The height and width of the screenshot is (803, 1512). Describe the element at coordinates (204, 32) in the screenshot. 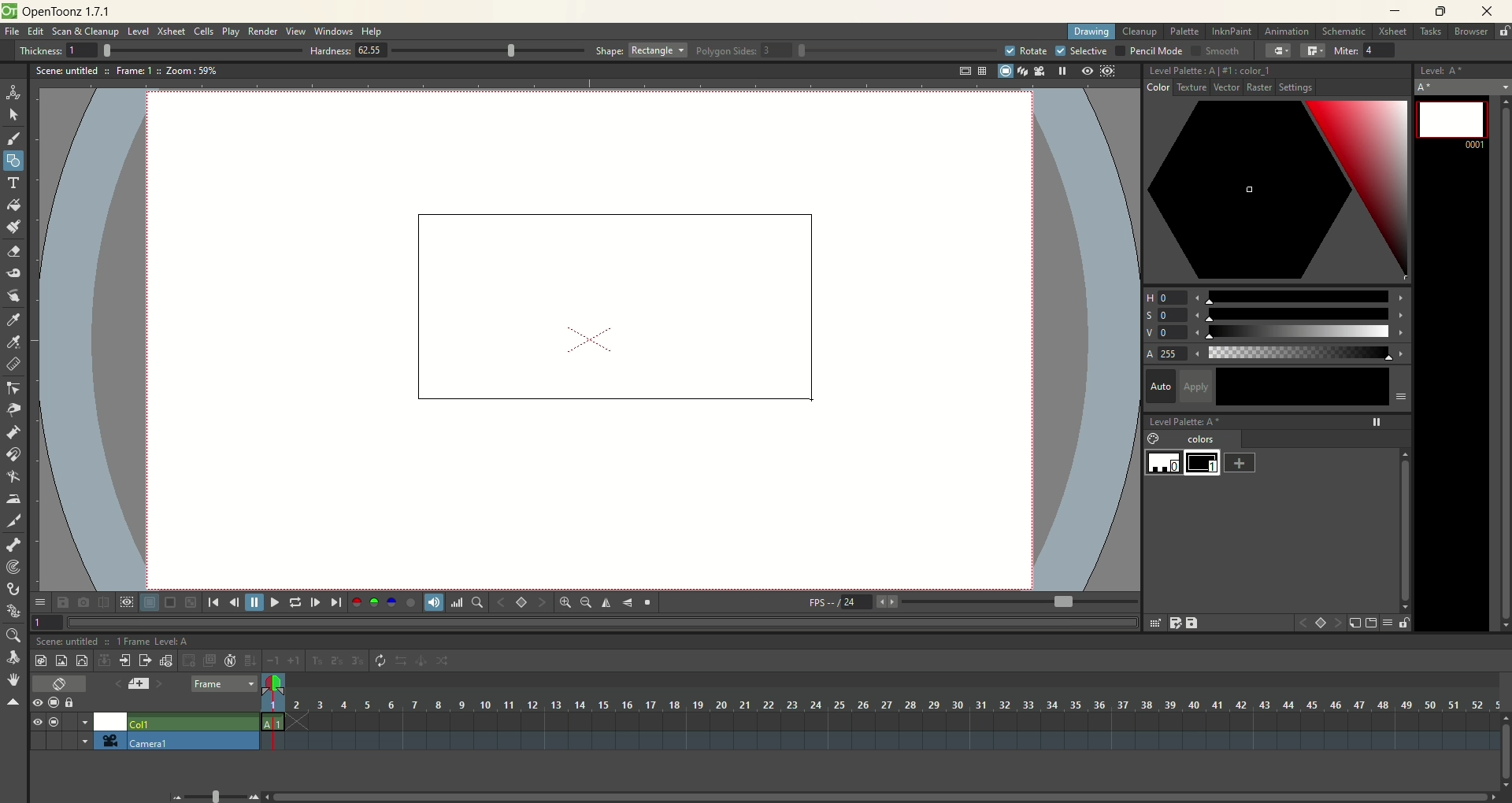

I see `cells` at that location.